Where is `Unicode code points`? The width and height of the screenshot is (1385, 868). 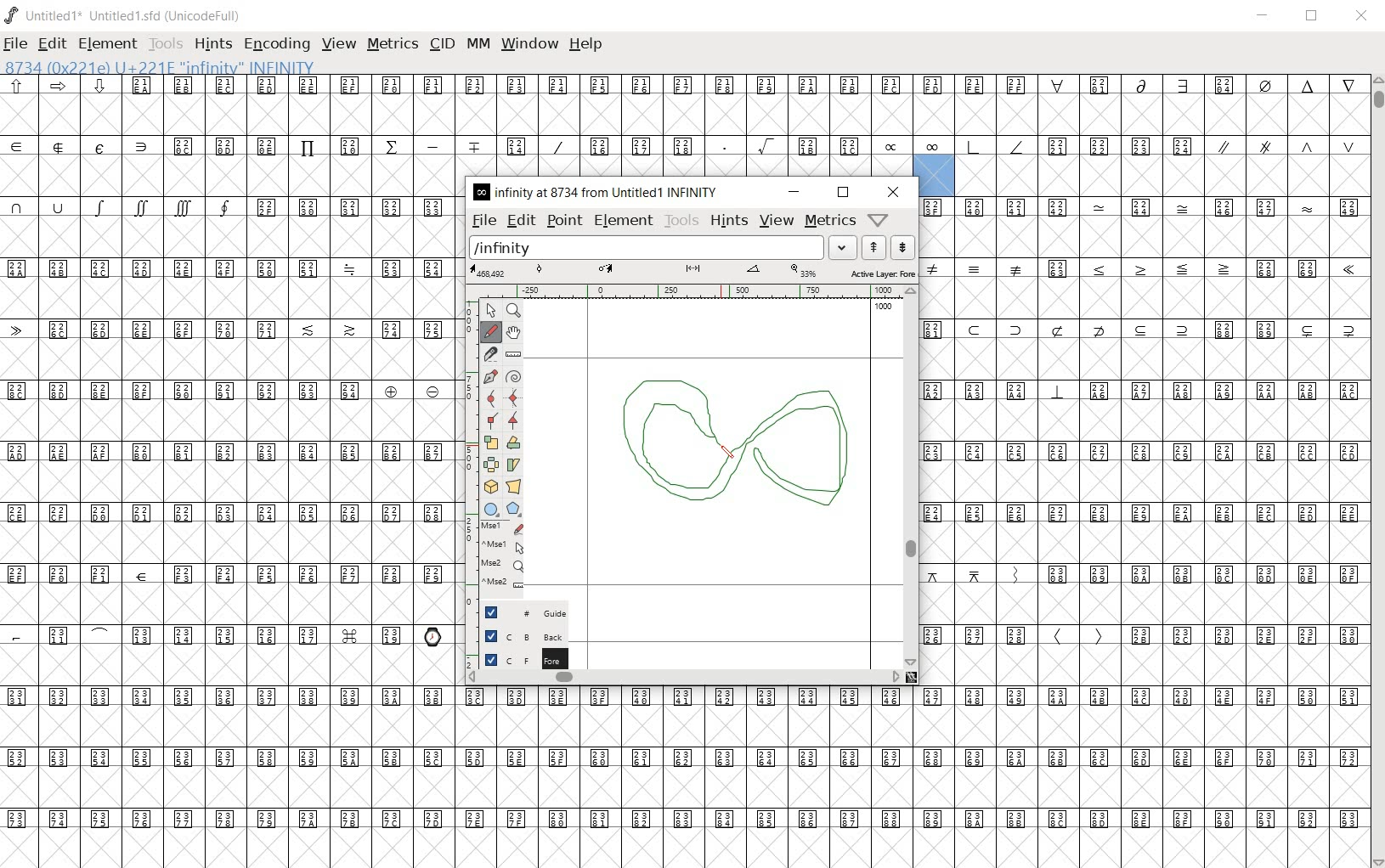 Unicode code points is located at coordinates (998, 206).